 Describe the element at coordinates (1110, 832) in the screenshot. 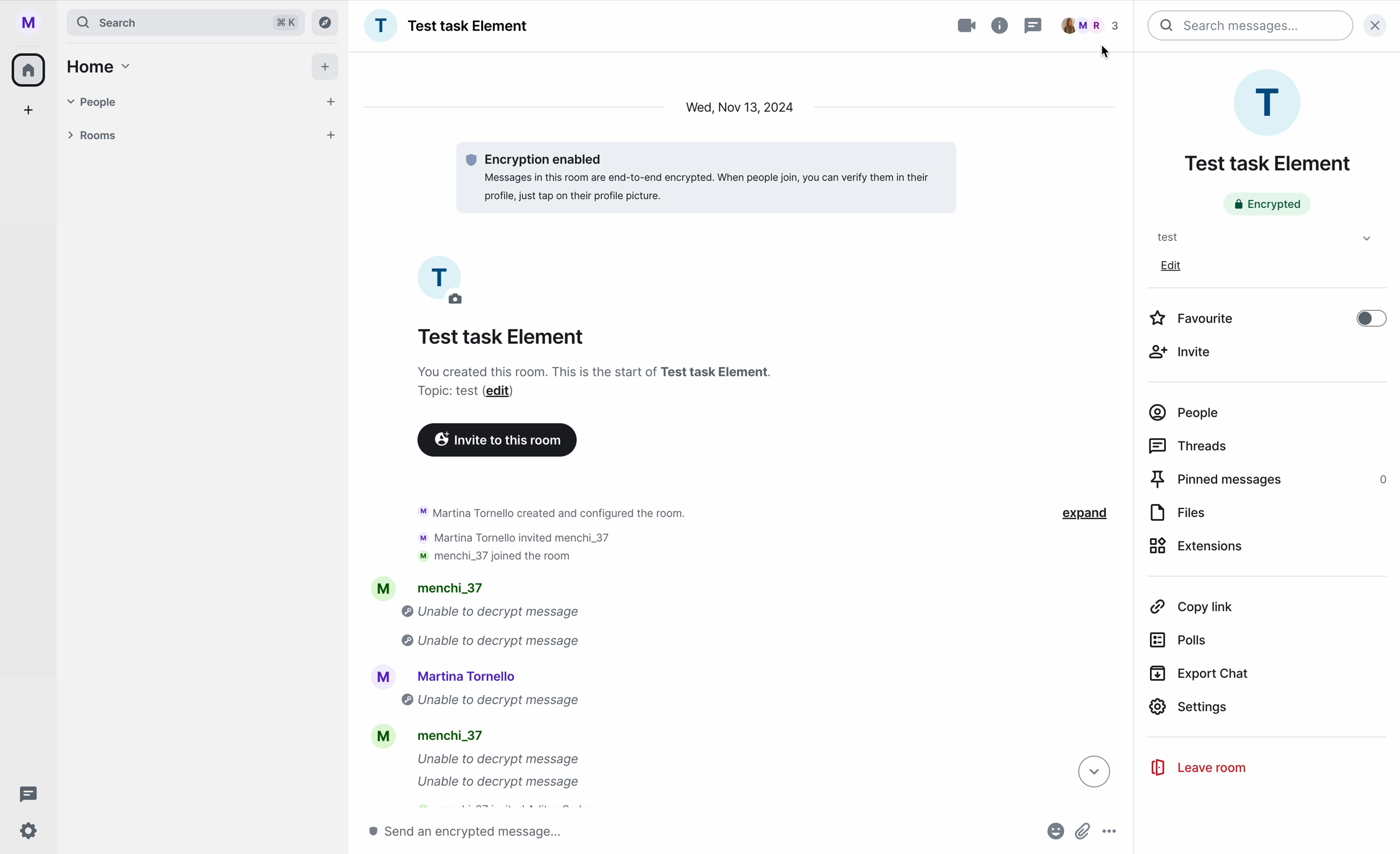

I see `more options` at that location.